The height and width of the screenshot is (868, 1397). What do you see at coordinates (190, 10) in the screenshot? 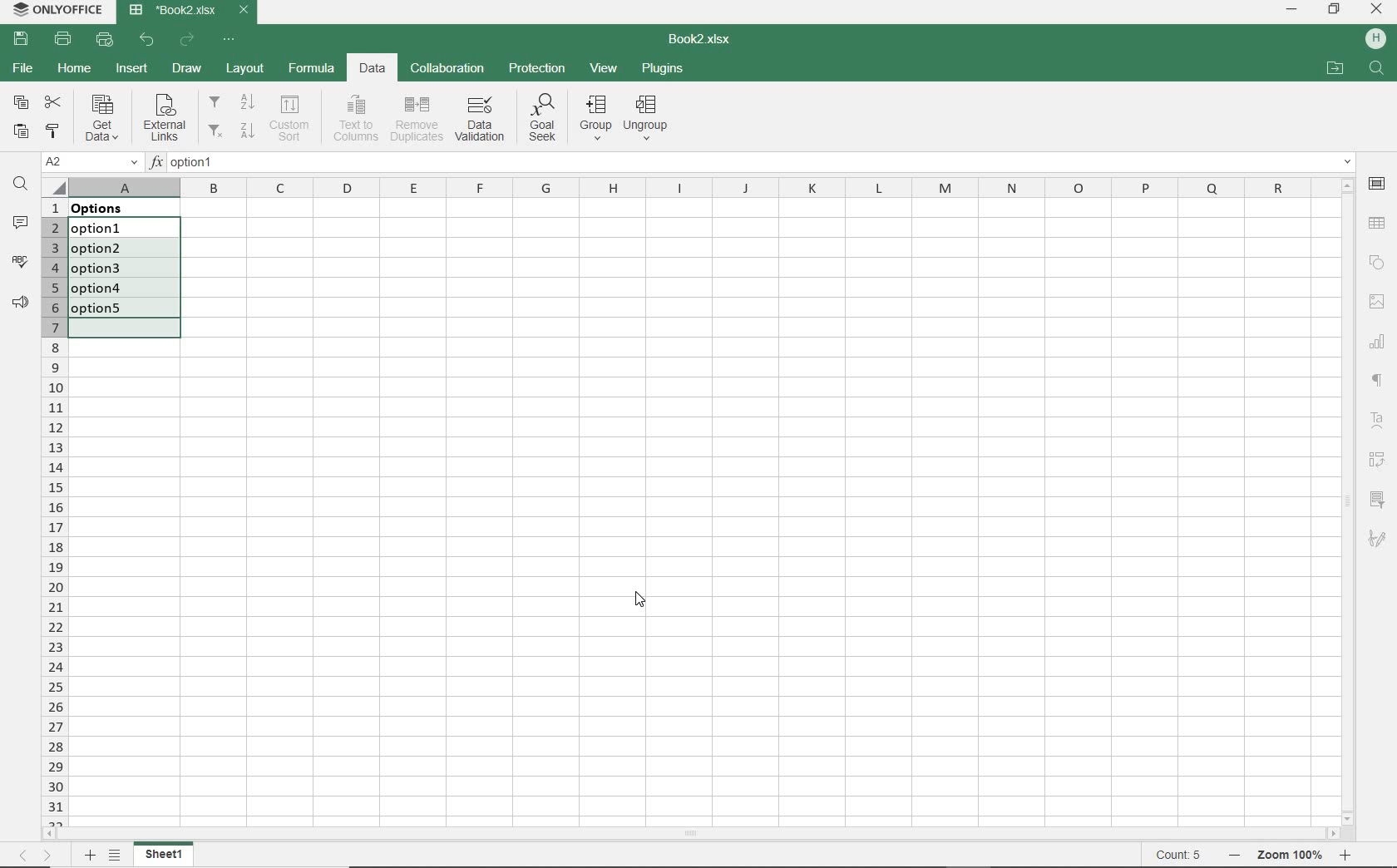
I see `DOCUMENT NAME` at bounding box center [190, 10].